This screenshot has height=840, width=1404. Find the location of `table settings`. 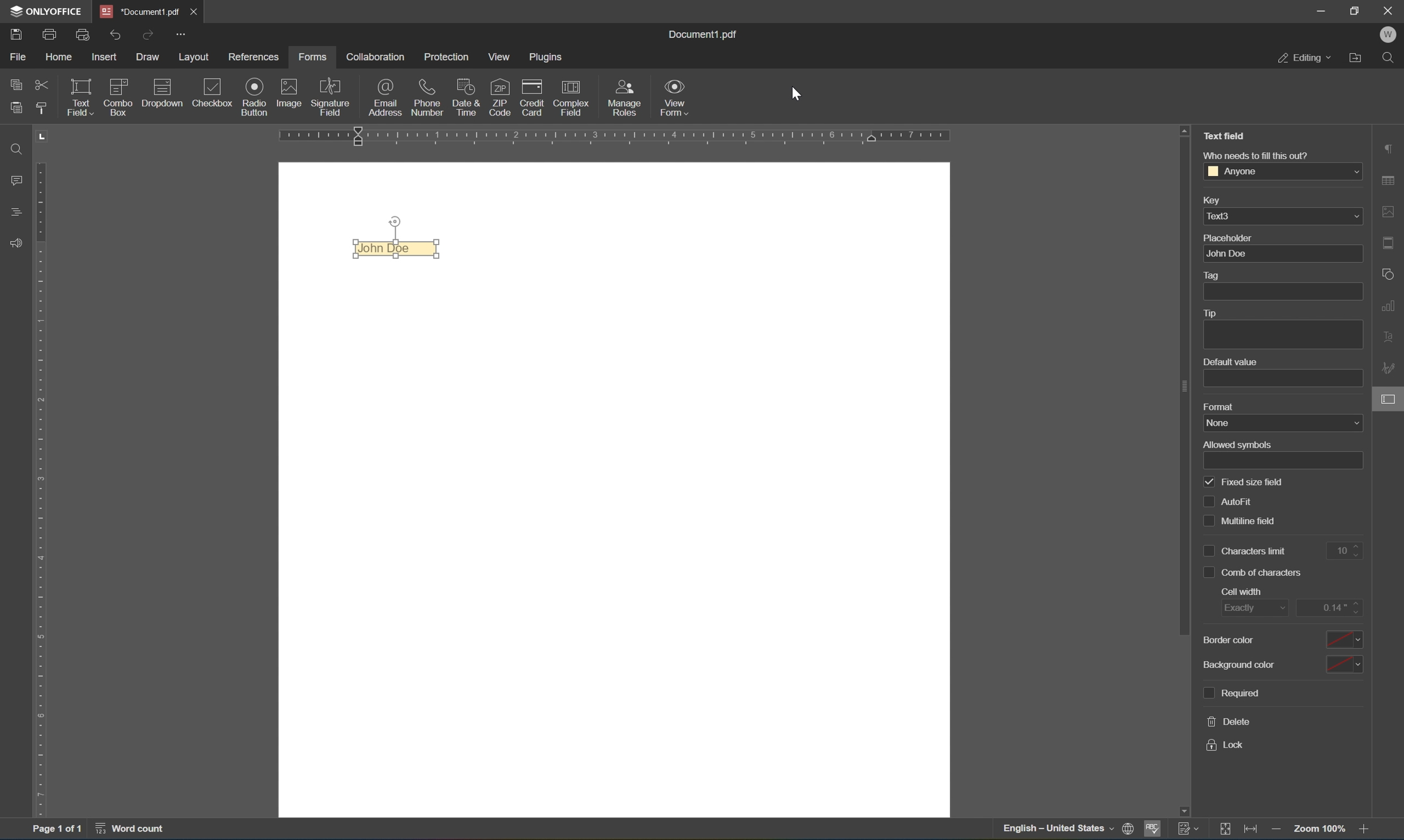

table settings is located at coordinates (1390, 181).